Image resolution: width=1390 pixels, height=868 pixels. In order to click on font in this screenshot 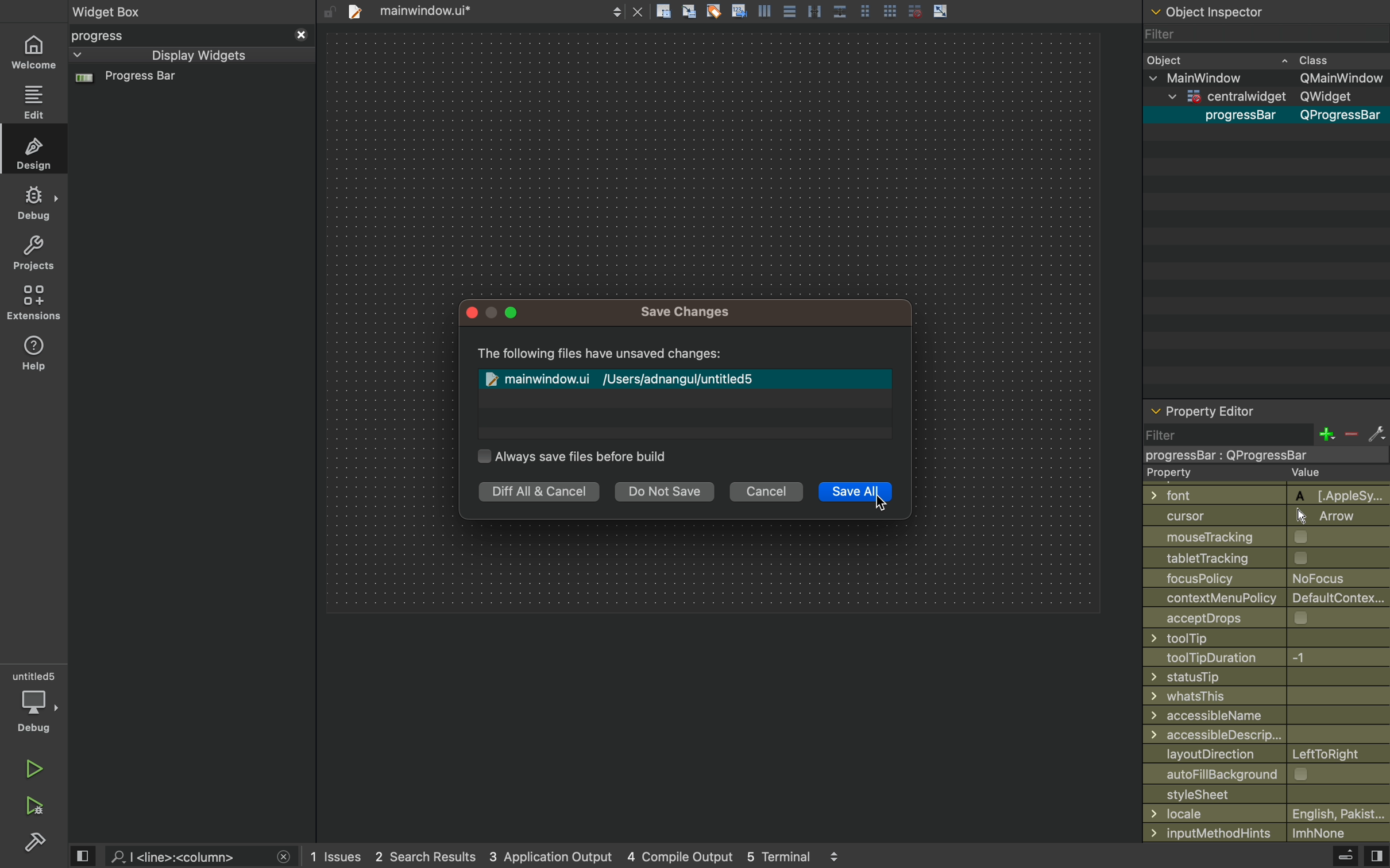, I will do `click(1260, 494)`.